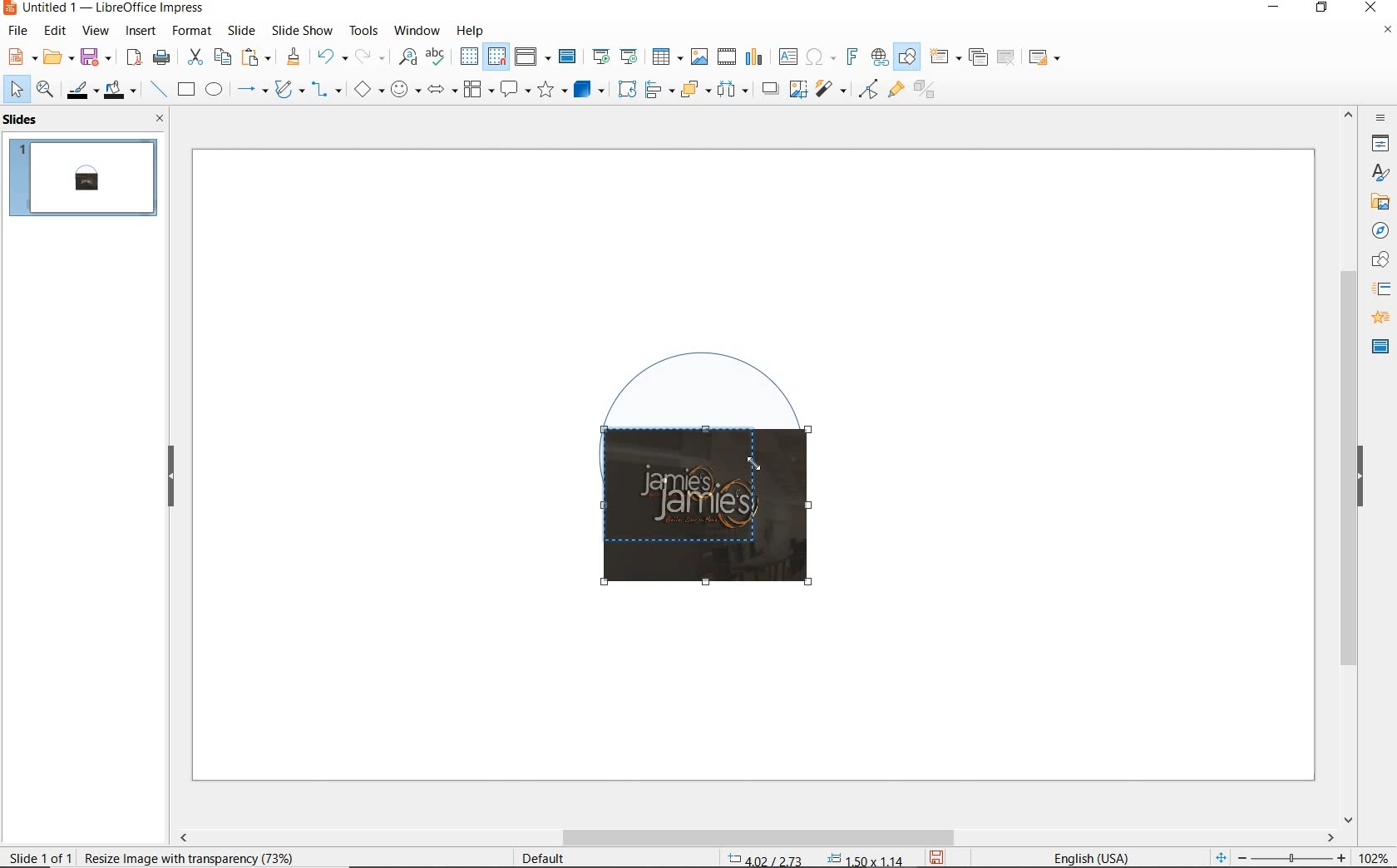 The image size is (1397, 868). Describe the element at coordinates (327, 91) in the screenshot. I see `connectors` at that location.